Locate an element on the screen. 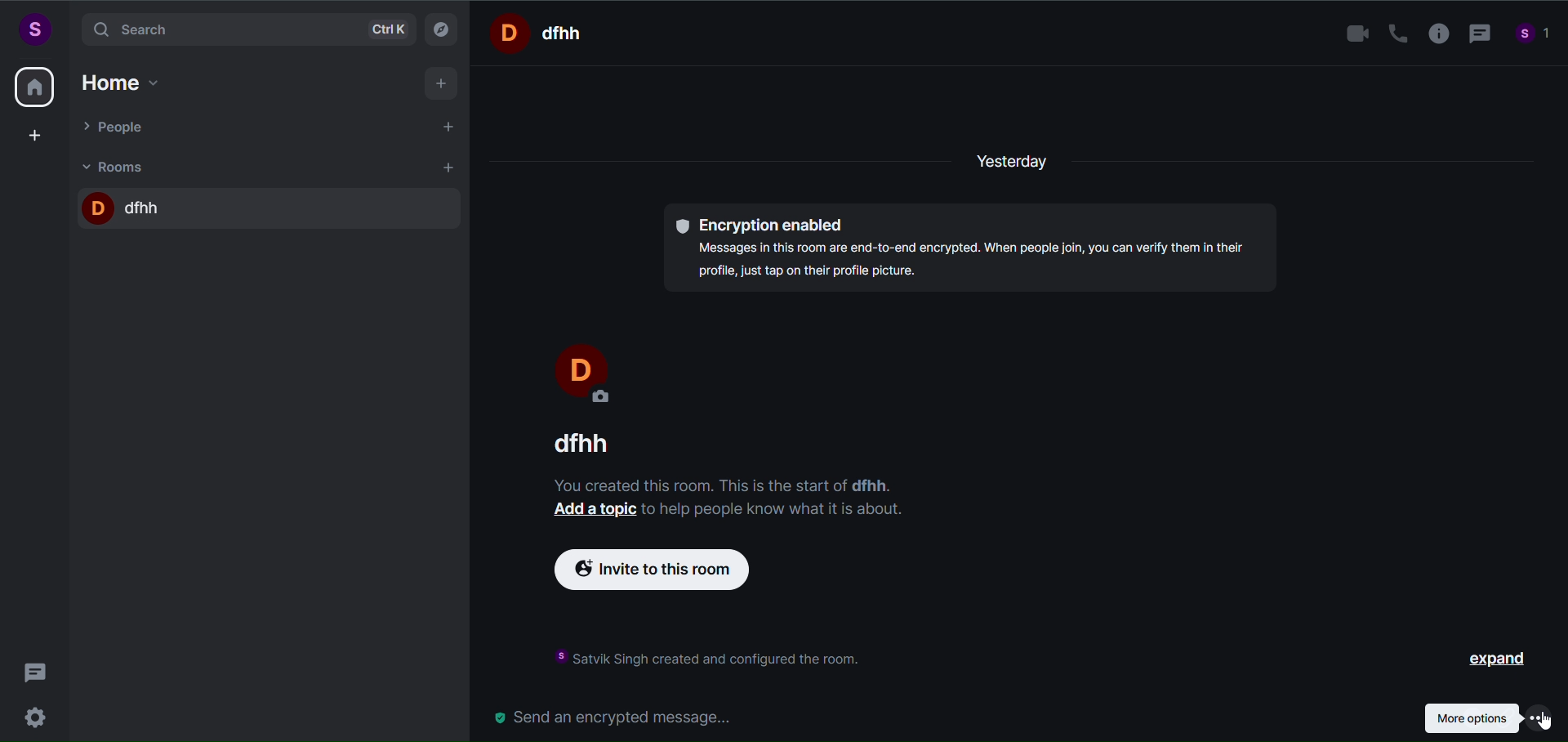  encryption enabled is located at coordinates (975, 250).